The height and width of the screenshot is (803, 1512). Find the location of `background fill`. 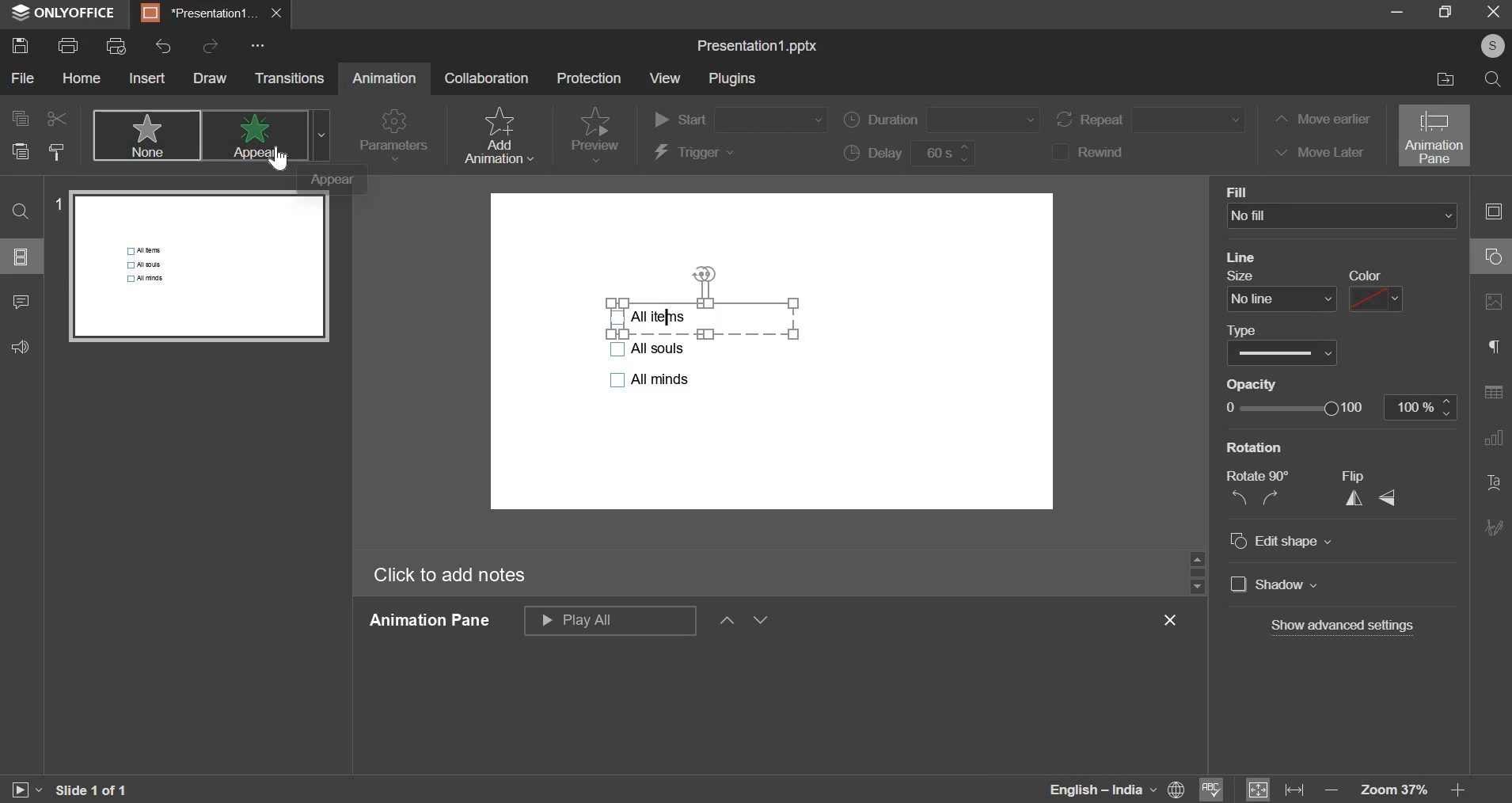

background fill is located at coordinates (1344, 215).